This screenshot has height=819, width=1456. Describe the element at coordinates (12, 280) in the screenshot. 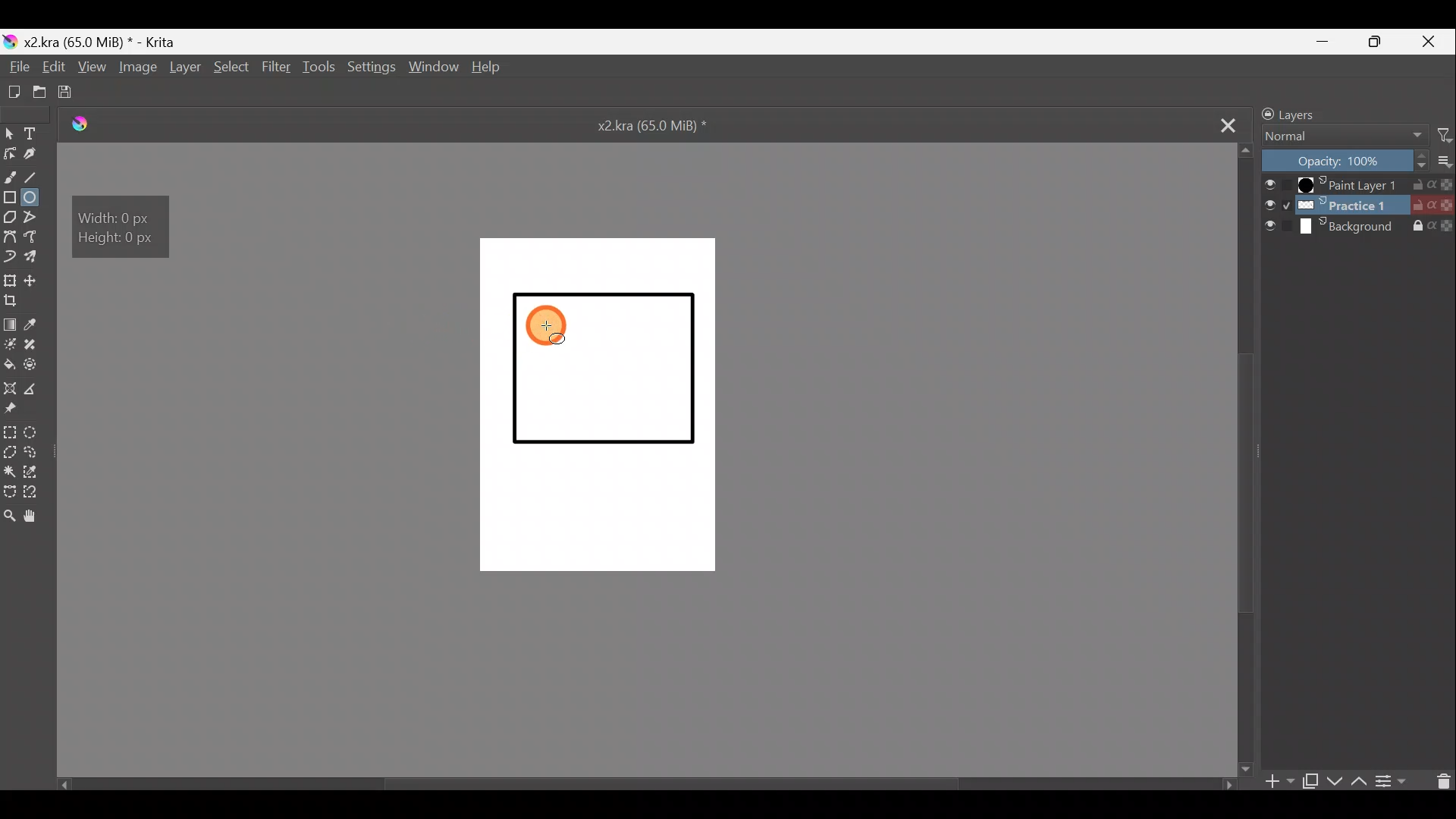

I see `Transform a layer/selection` at that location.